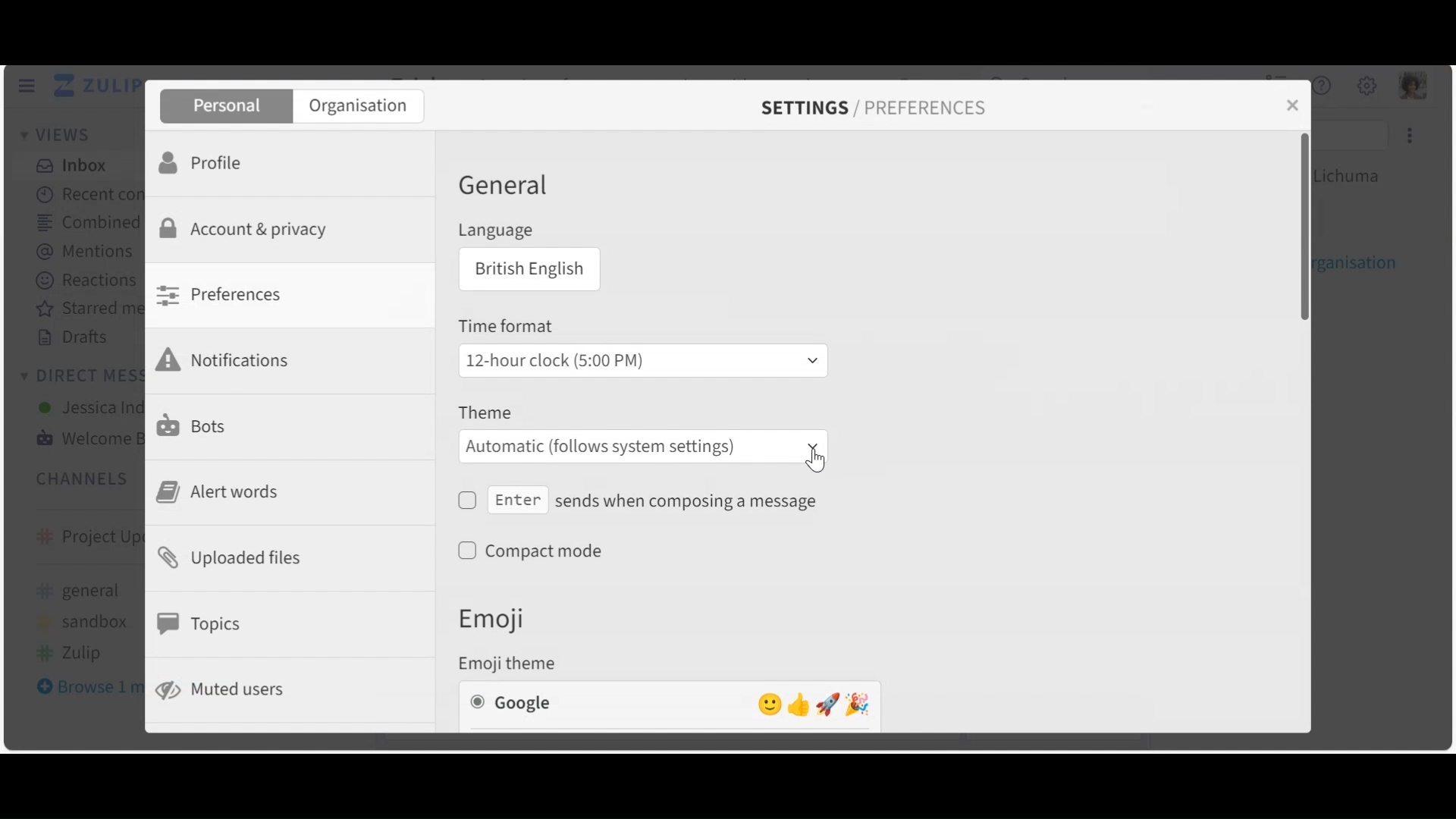  I want to click on General, so click(503, 188).